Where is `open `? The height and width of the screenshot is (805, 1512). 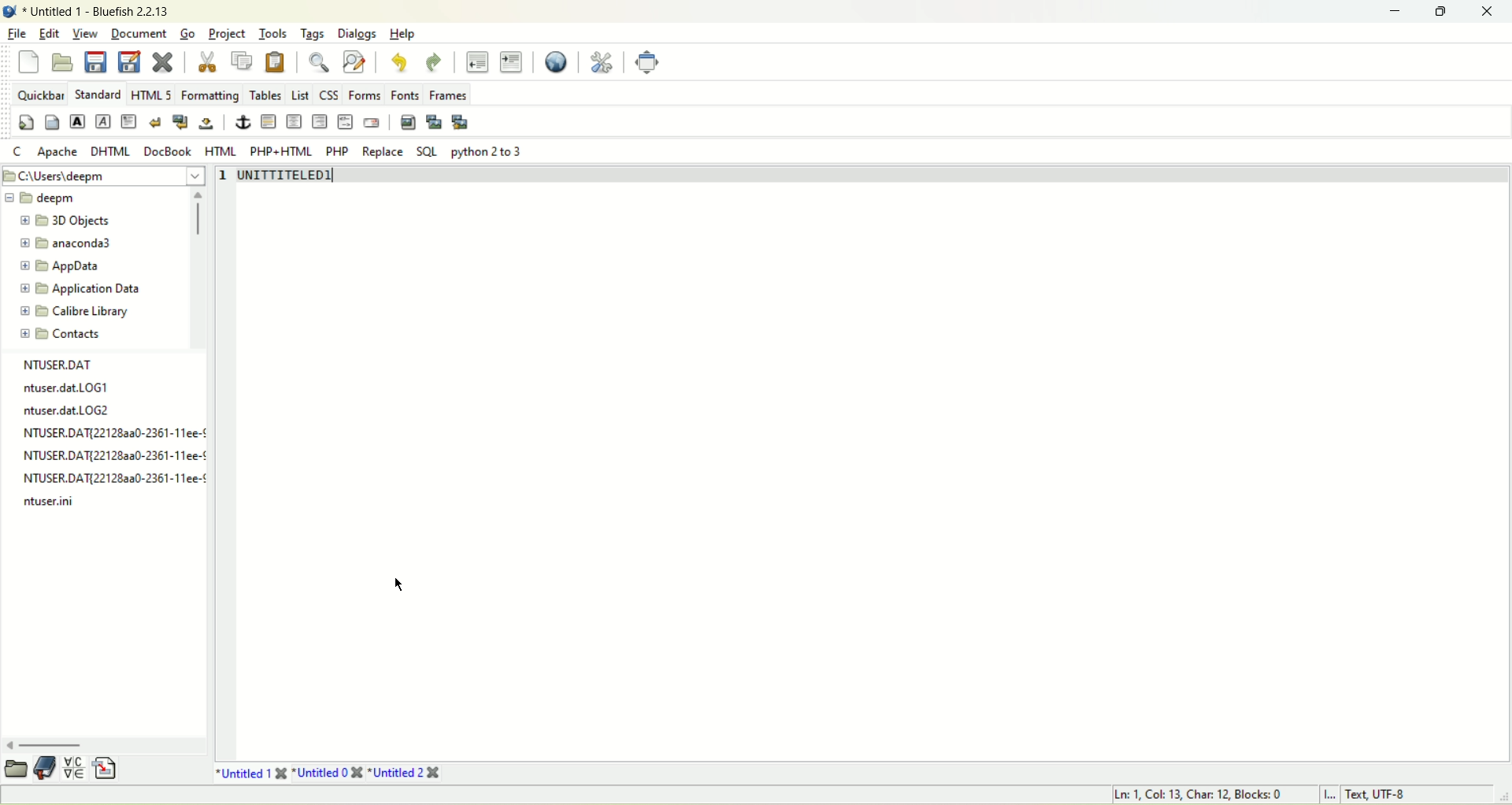 open  is located at coordinates (16, 770).